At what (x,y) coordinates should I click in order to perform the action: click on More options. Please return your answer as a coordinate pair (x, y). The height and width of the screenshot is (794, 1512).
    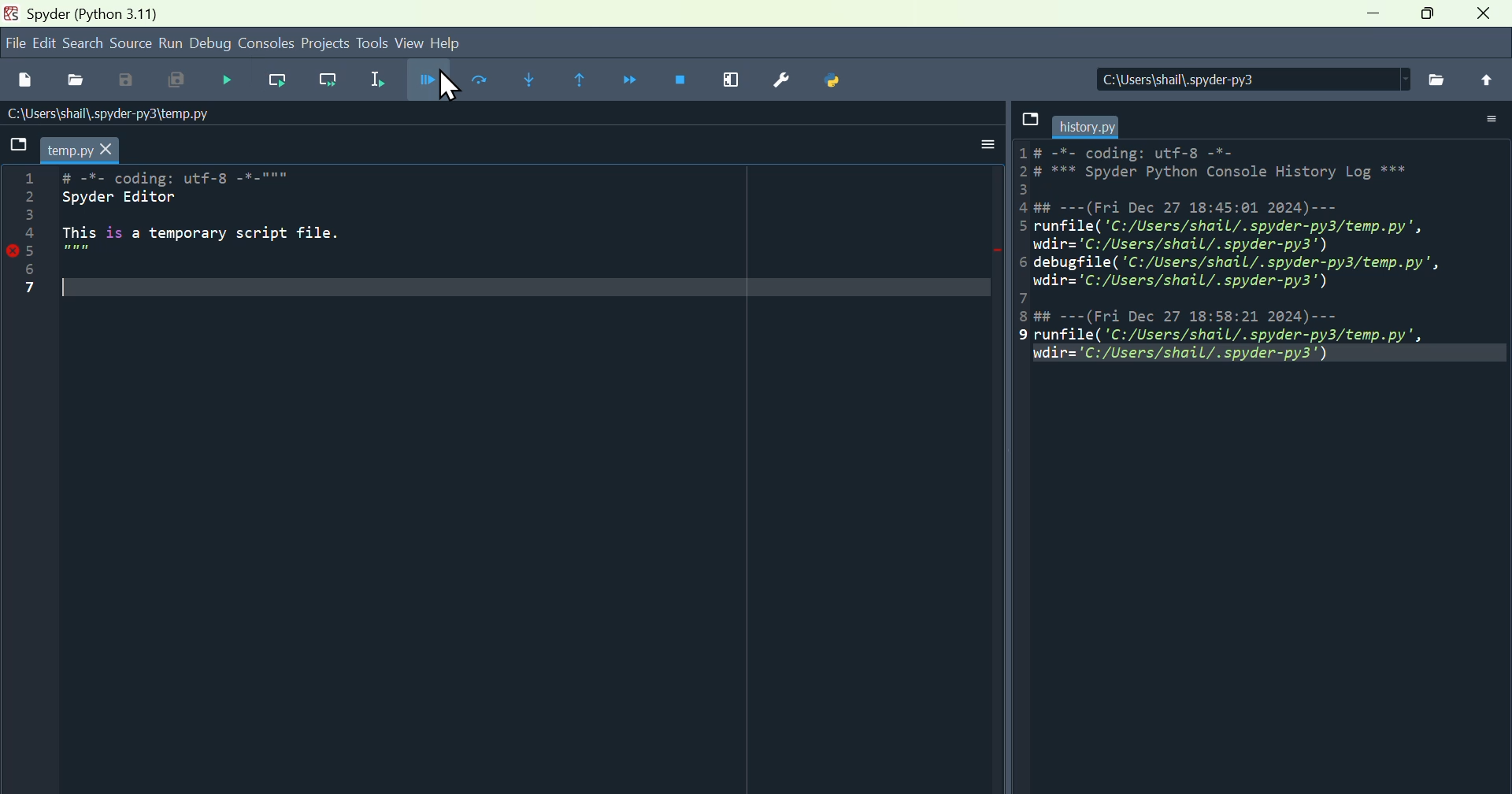
    Looking at the image, I should click on (973, 147).